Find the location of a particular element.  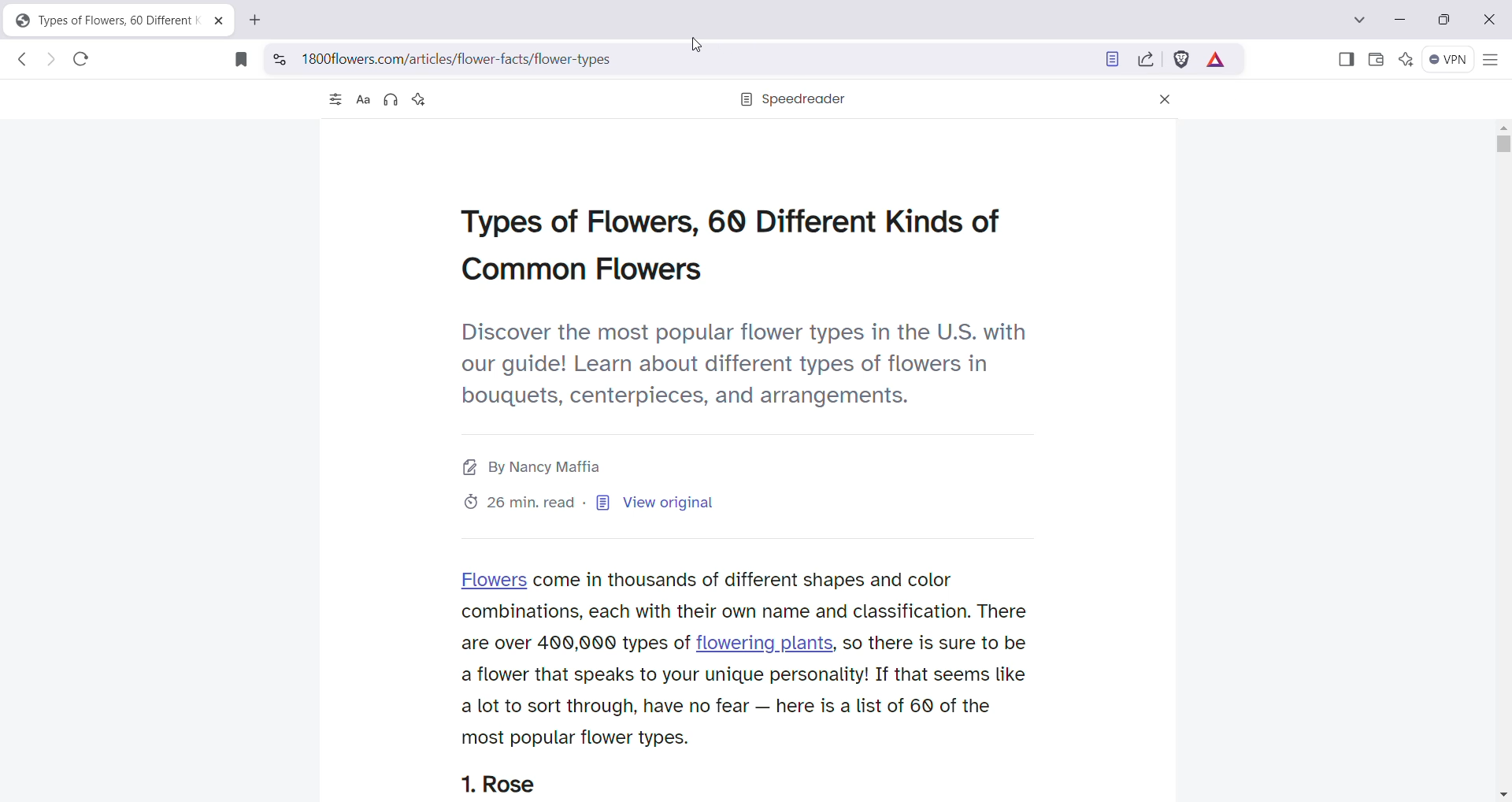

Turn off Speedreader is located at coordinates (1107, 61).